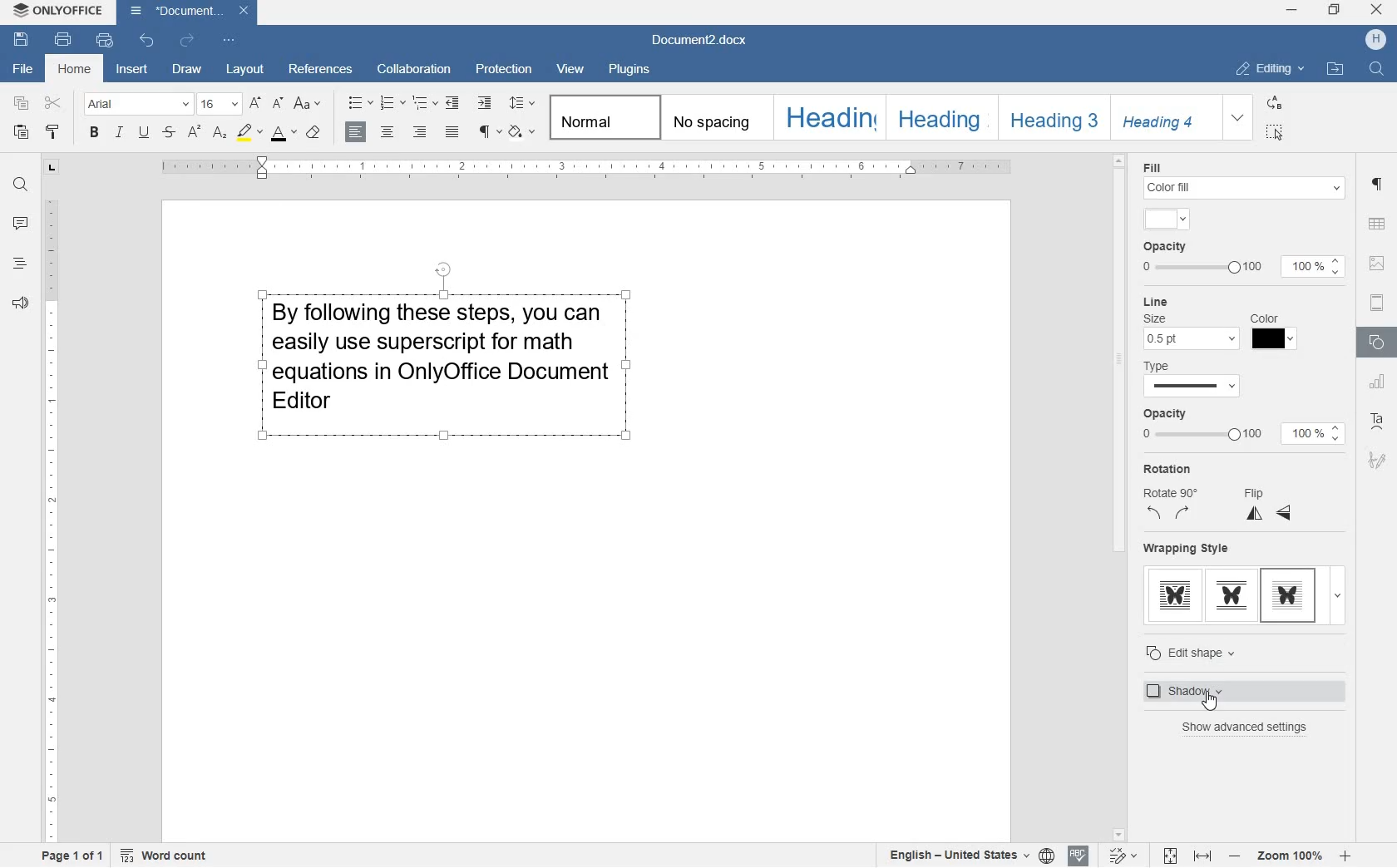 This screenshot has width=1397, height=868. What do you see at coordinates (321, 72) in the screenshot?
I see `references` at bounding box center [321, 72].